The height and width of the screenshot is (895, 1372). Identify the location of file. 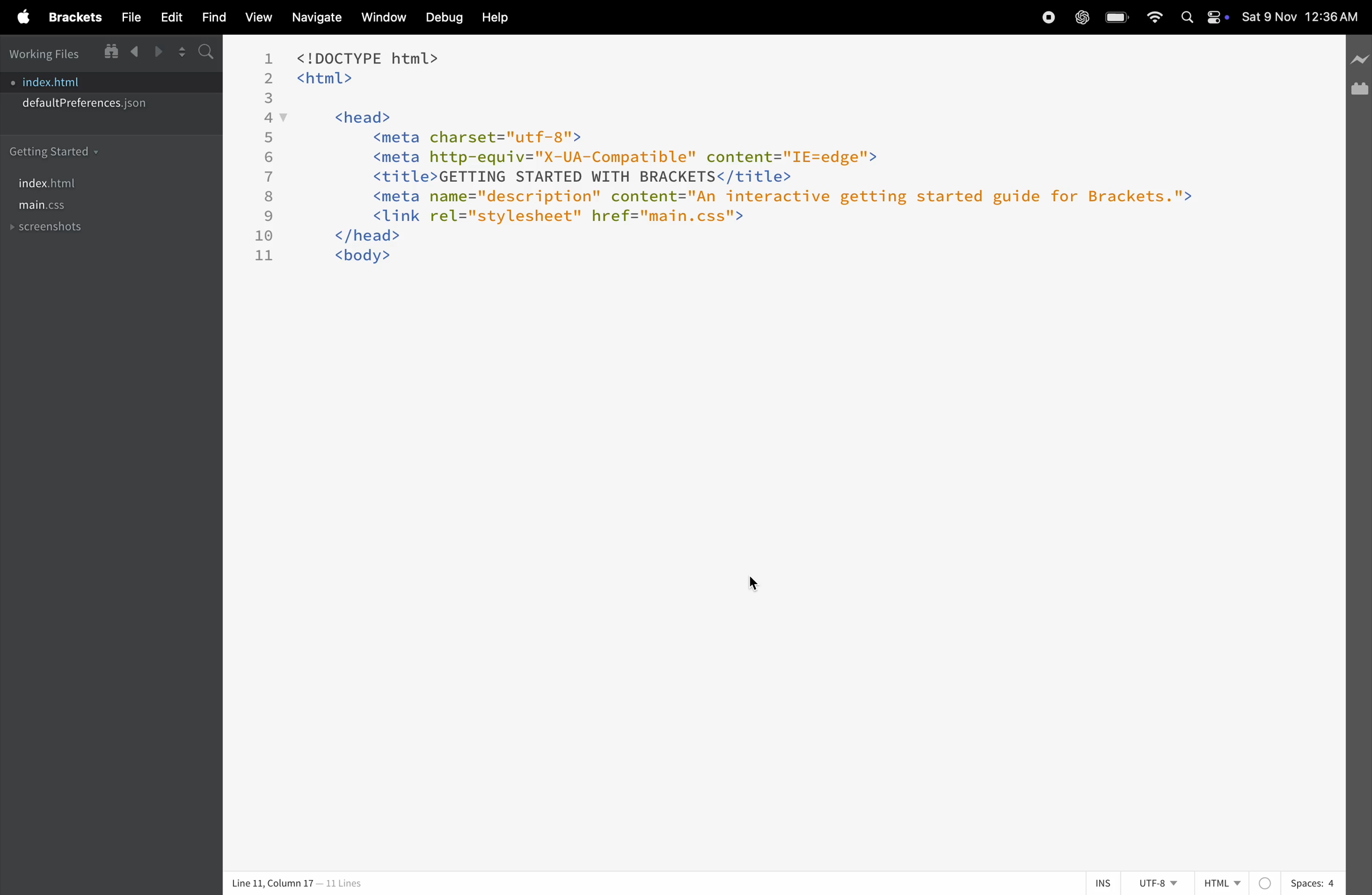
(127, 18).